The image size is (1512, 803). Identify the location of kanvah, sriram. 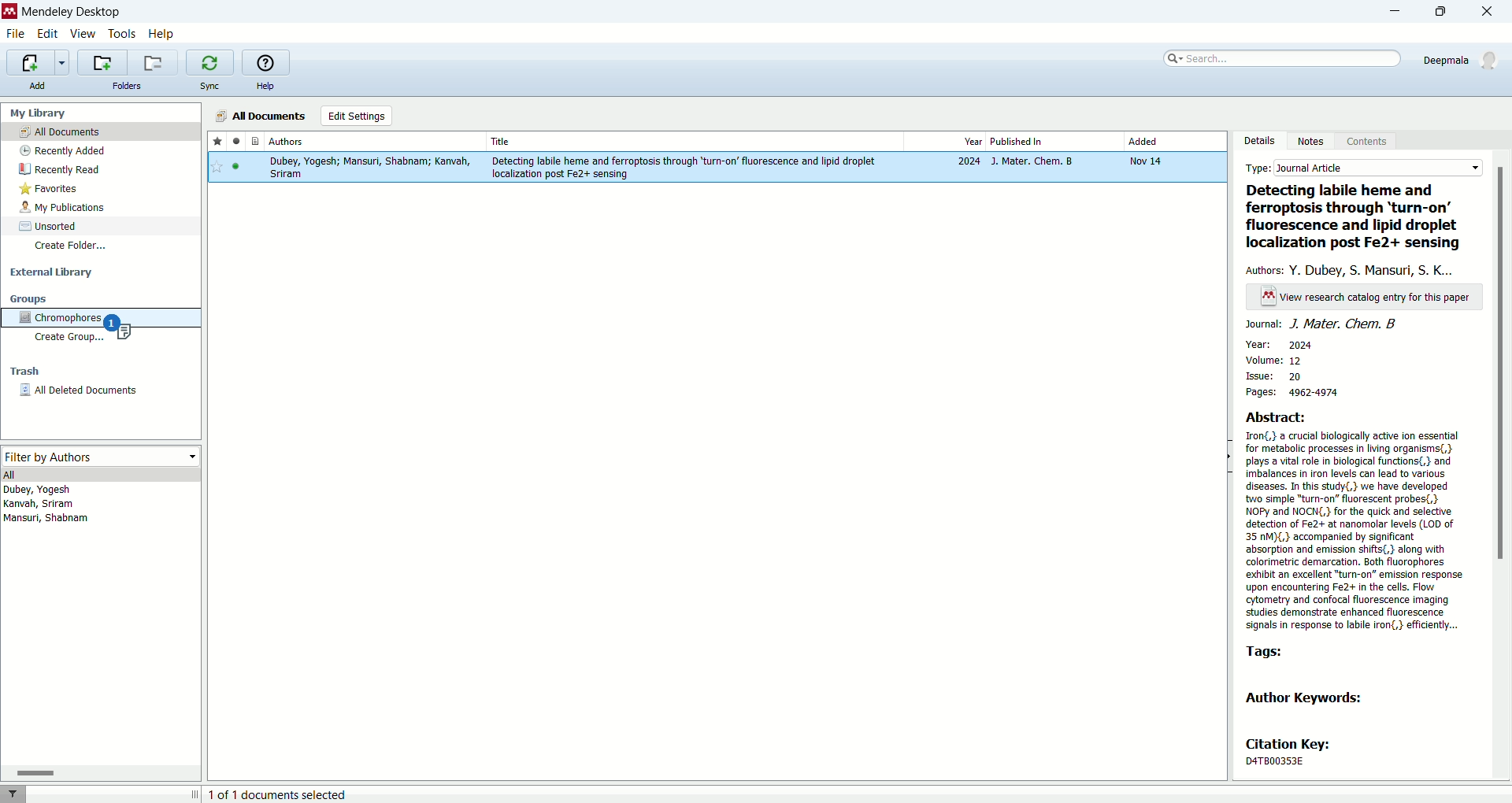
(39, 505).